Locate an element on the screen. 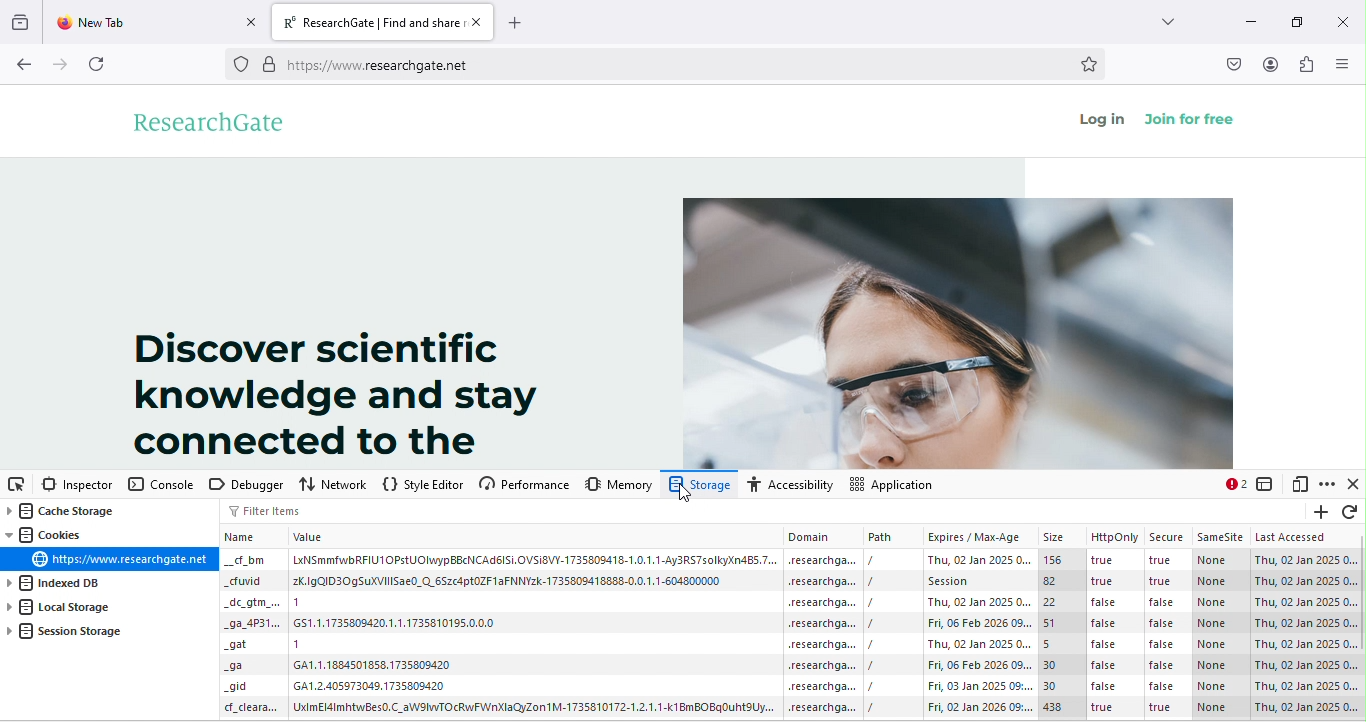   is located at coordinates (248, 559).